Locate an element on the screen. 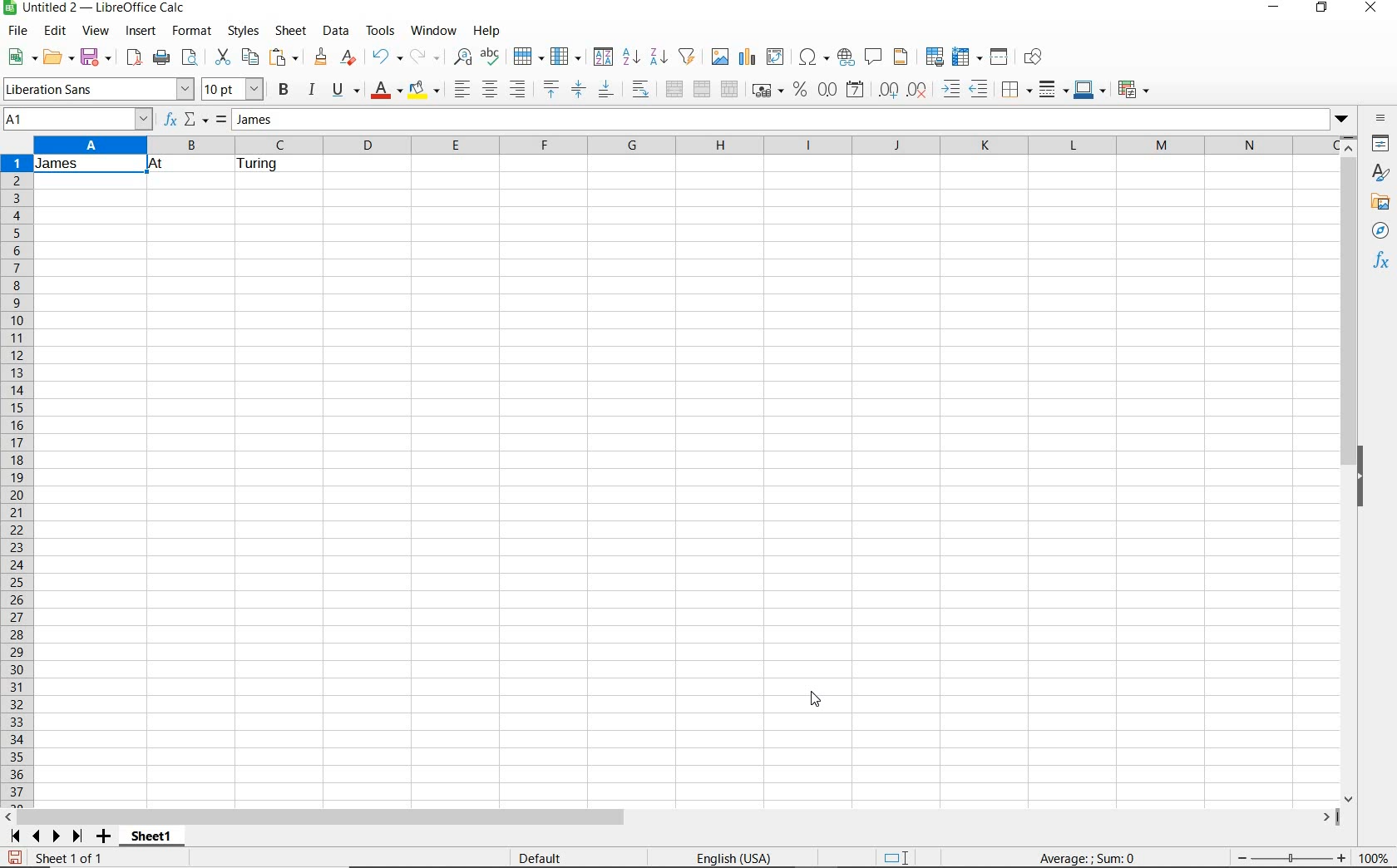 The image size is (1397, 868). scrollbar is located at coordinates (1350, 469).